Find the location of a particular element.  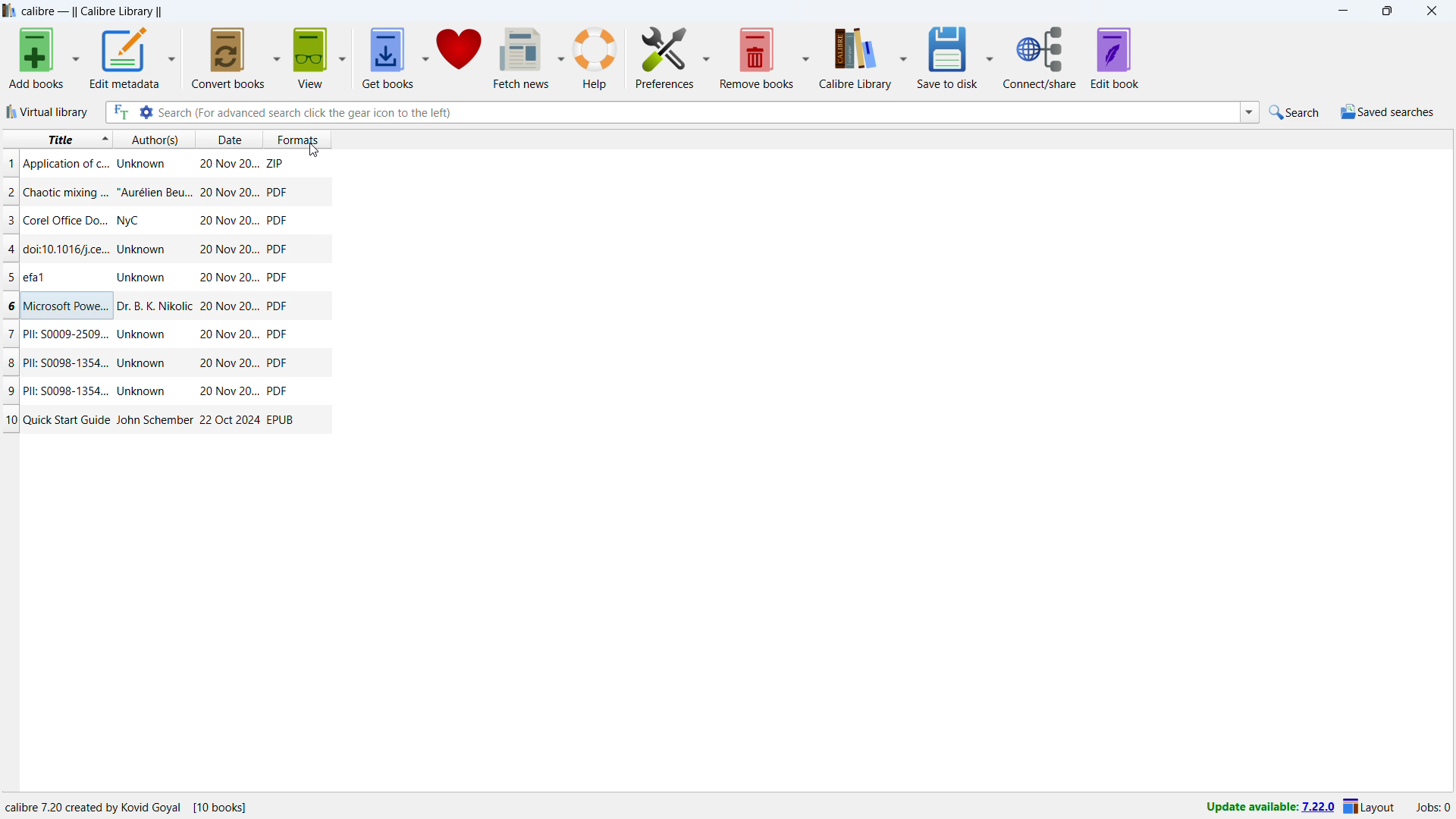

title is located at coordinates (47, 278).